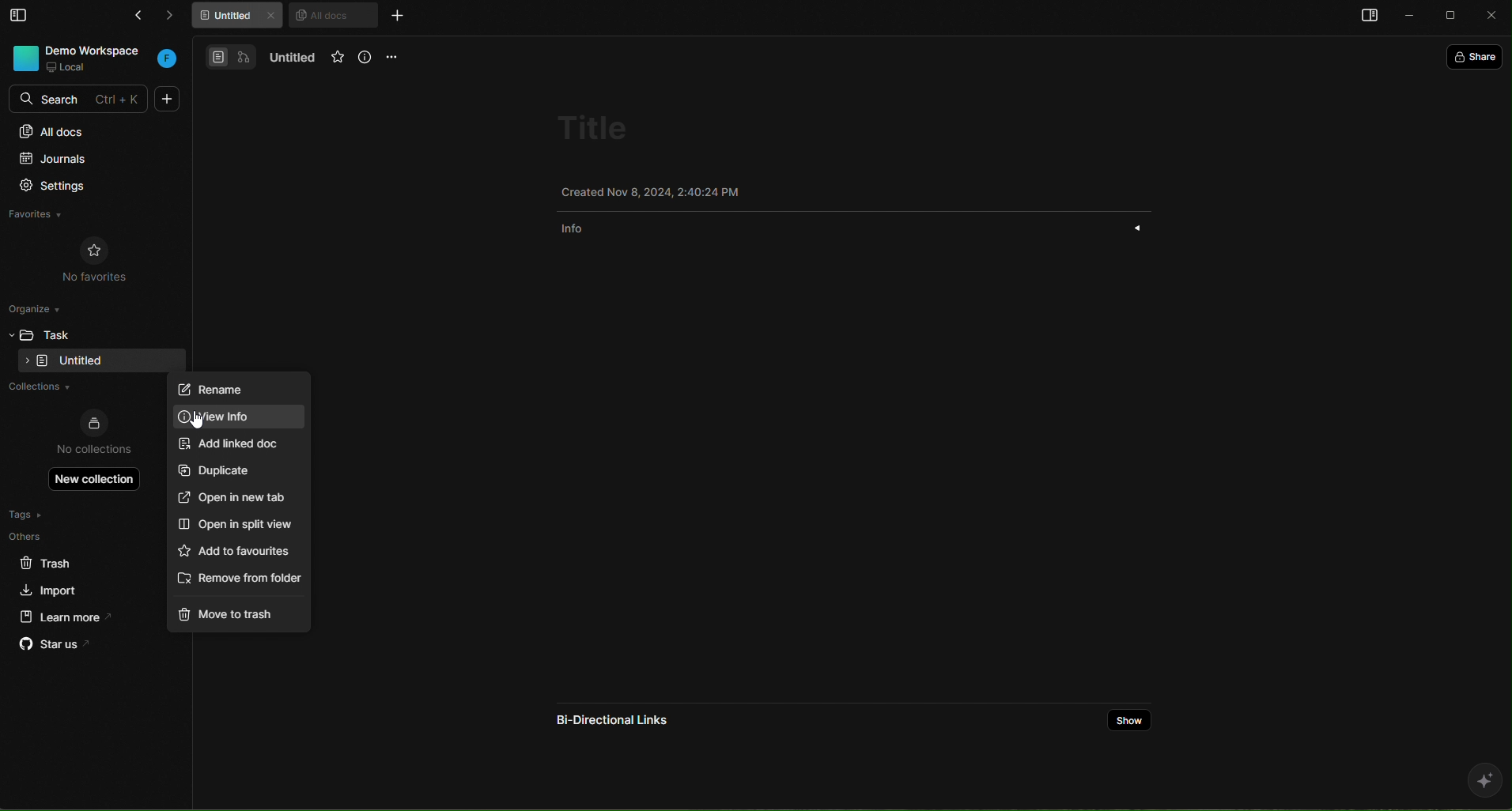  Describe the element at coordinates (1484, 780) in the screenshot. I see `ai` at that location.